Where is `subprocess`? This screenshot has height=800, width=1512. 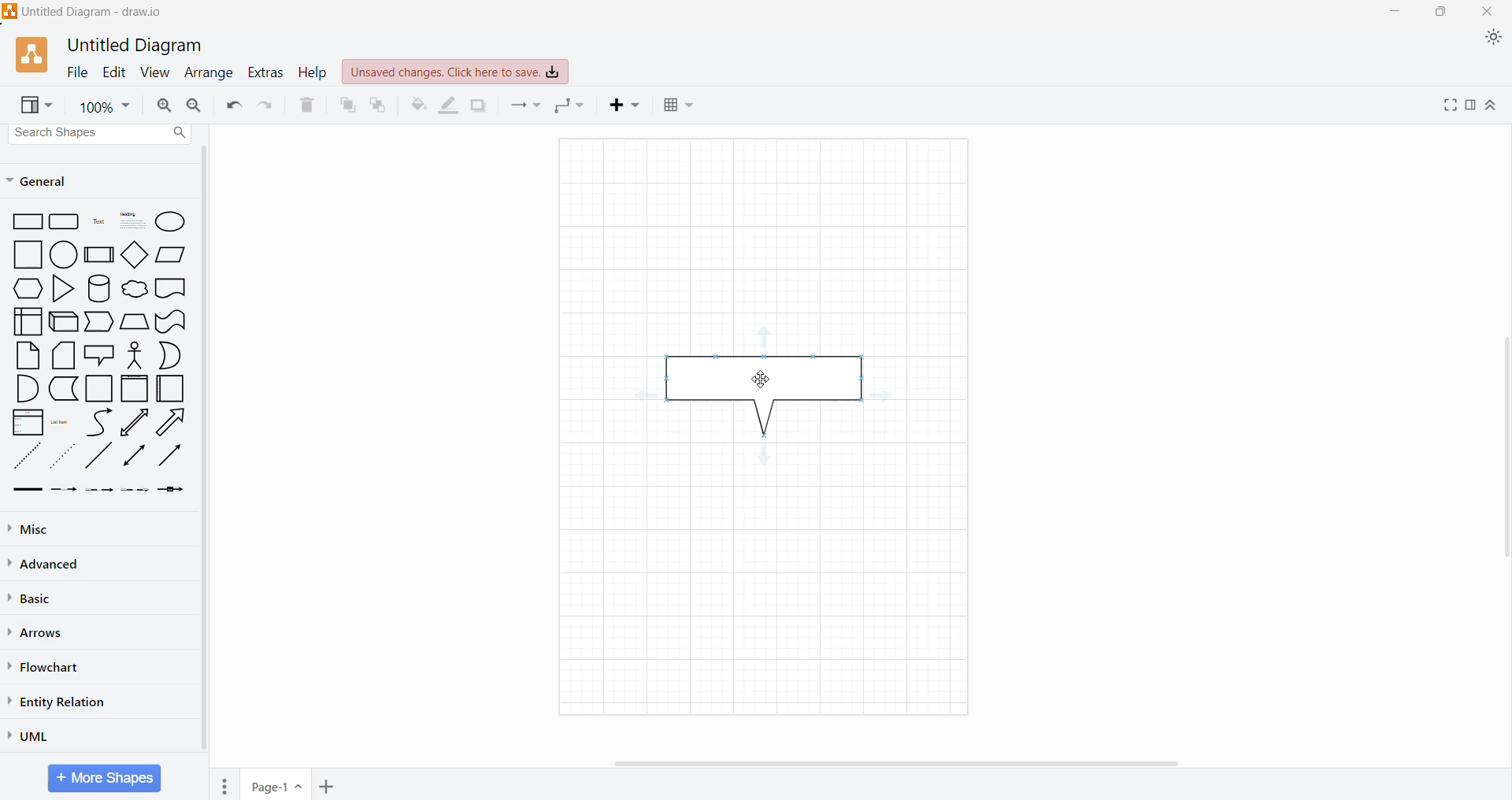 subprocess is located at coordinates (98, 254).